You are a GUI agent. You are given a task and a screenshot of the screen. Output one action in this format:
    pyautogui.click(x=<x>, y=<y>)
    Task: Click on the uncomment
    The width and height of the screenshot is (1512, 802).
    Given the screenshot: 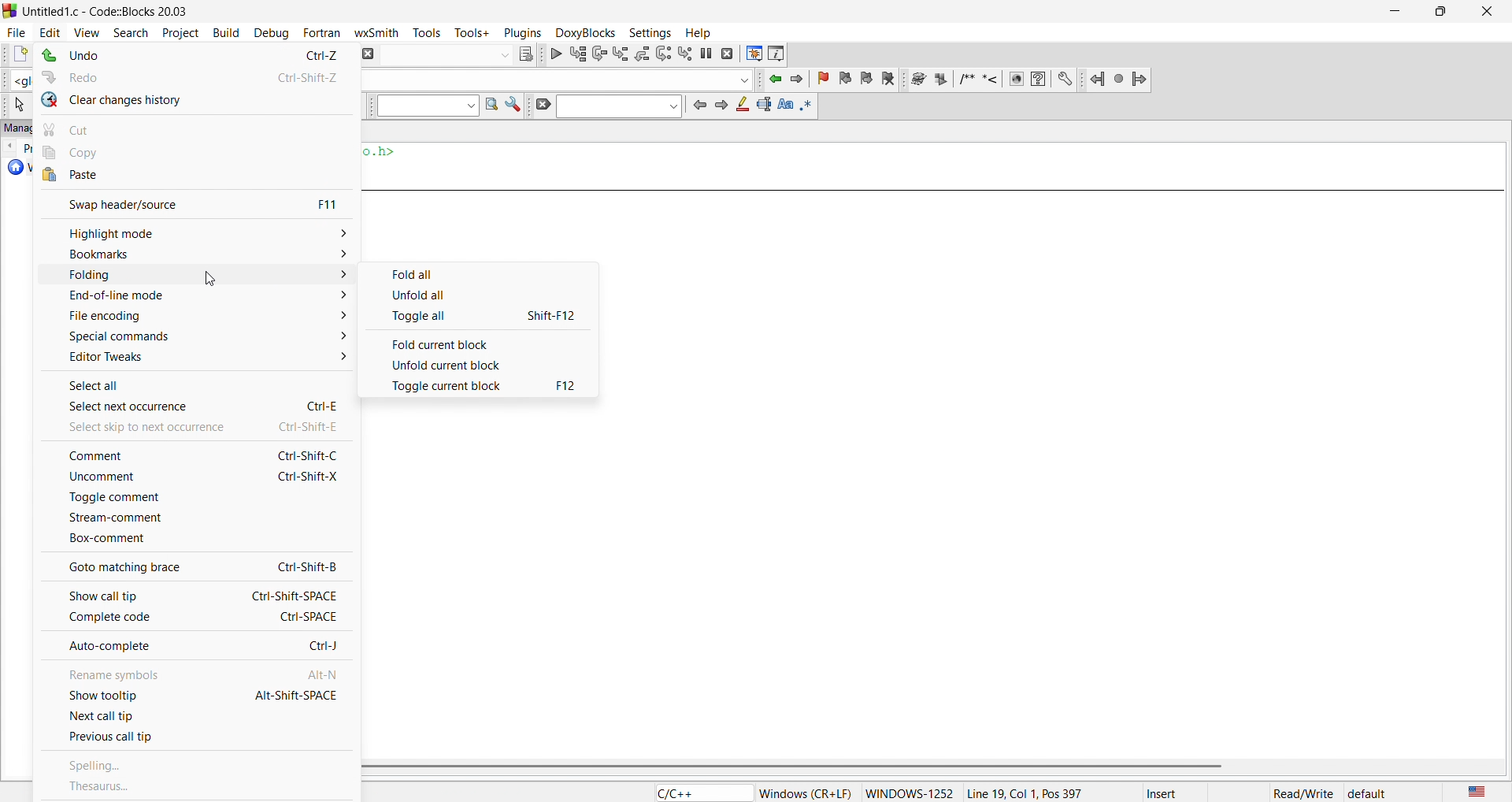 What is the action you would take?
    pyautogui.click(x=189, y=479)
    